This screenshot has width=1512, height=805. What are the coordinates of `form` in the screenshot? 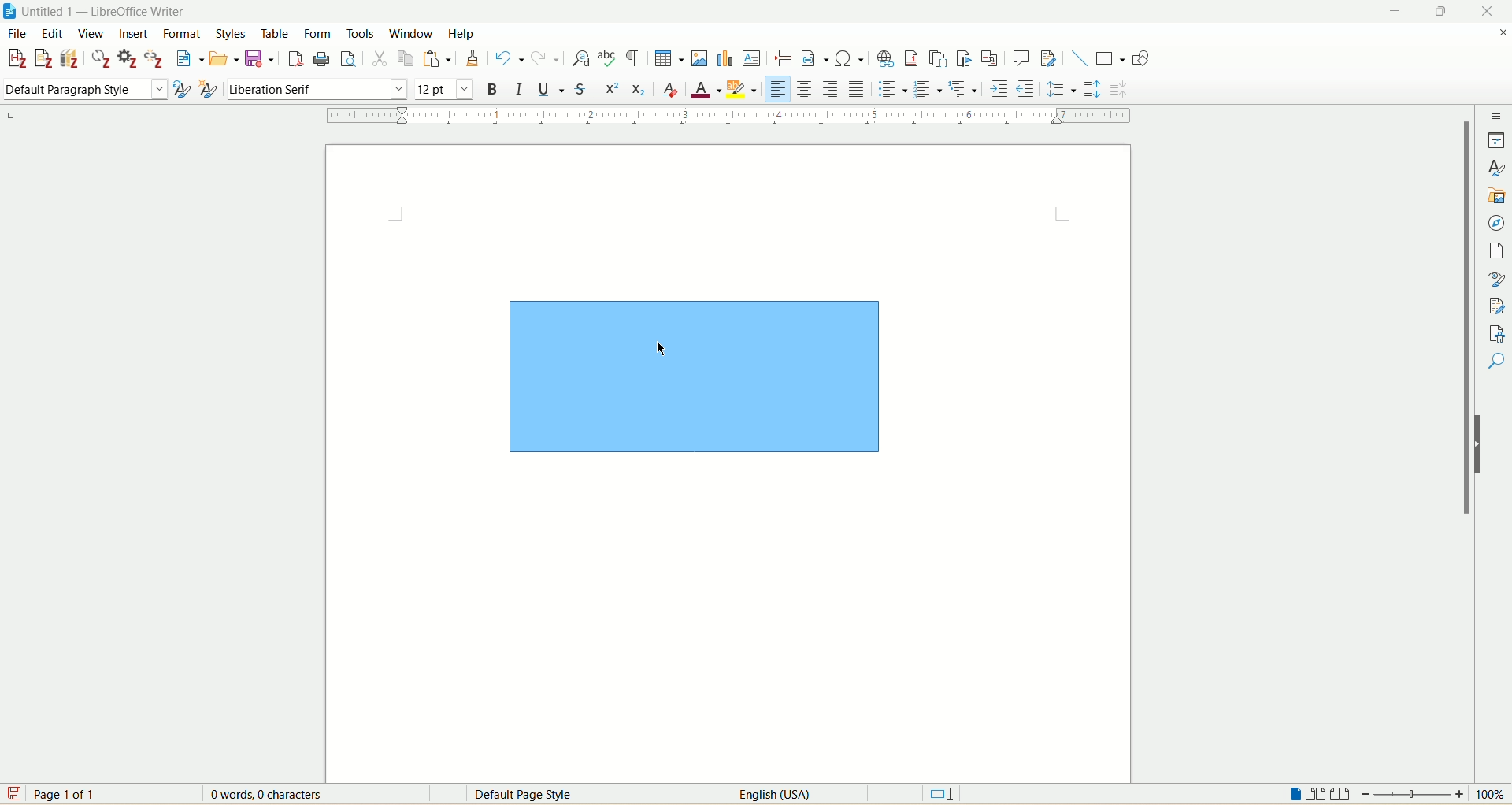 It's located at (319, 33).